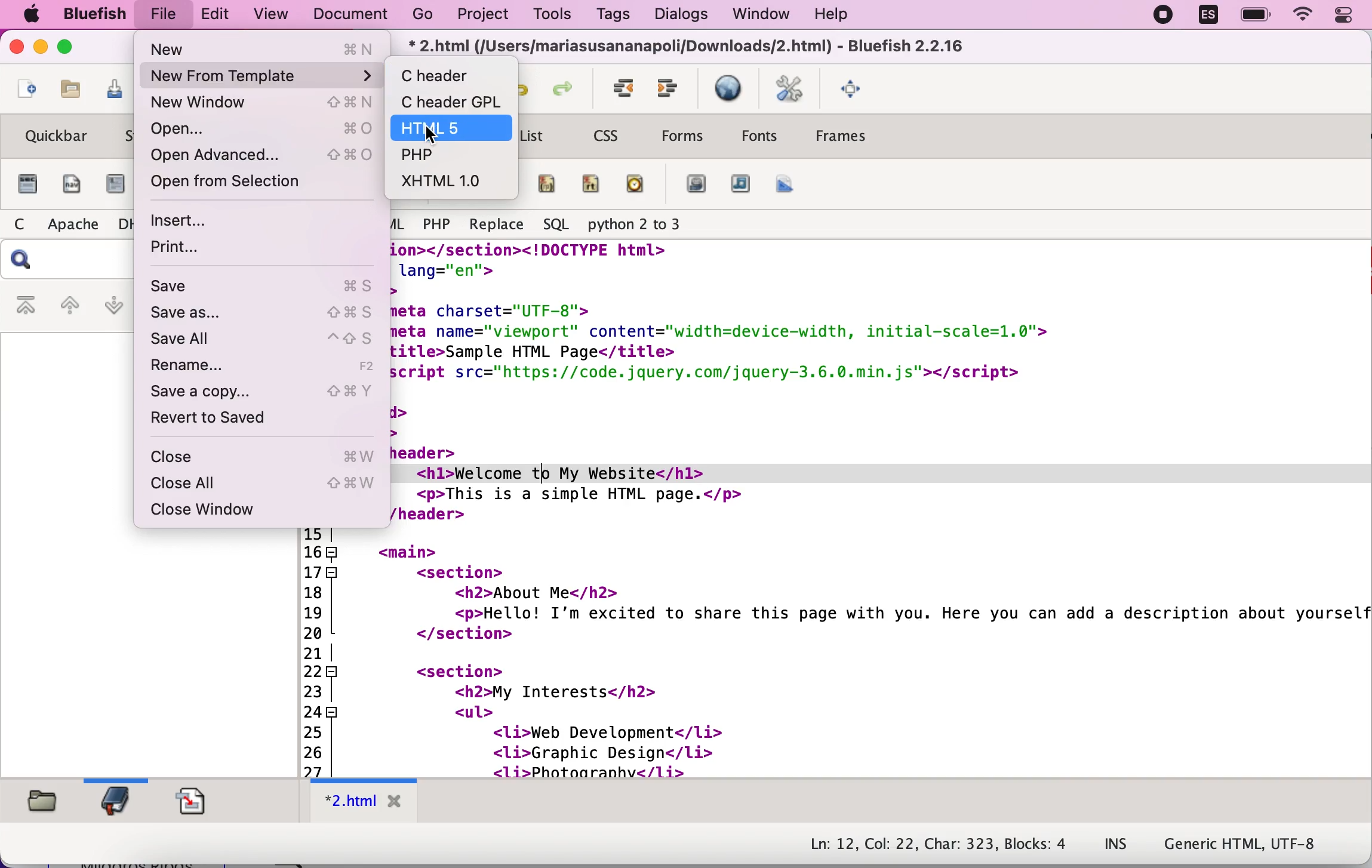  What do you see at coordinates (31, 14) in the screenshot?
I see `Apple icon` at bounding box center [31, 14].